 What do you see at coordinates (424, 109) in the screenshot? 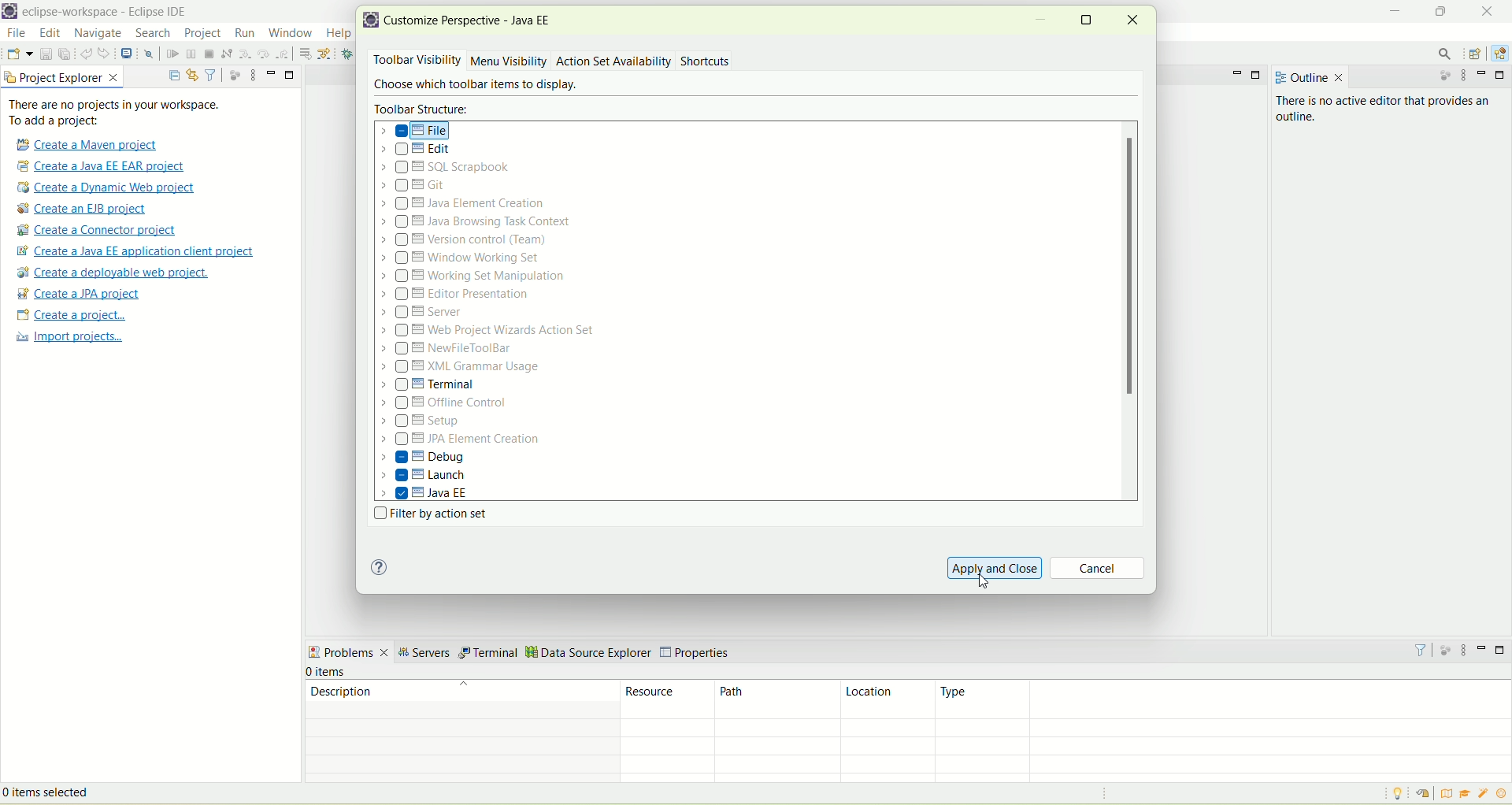
I see `toolbar structure` at bounding box center [424, 109].